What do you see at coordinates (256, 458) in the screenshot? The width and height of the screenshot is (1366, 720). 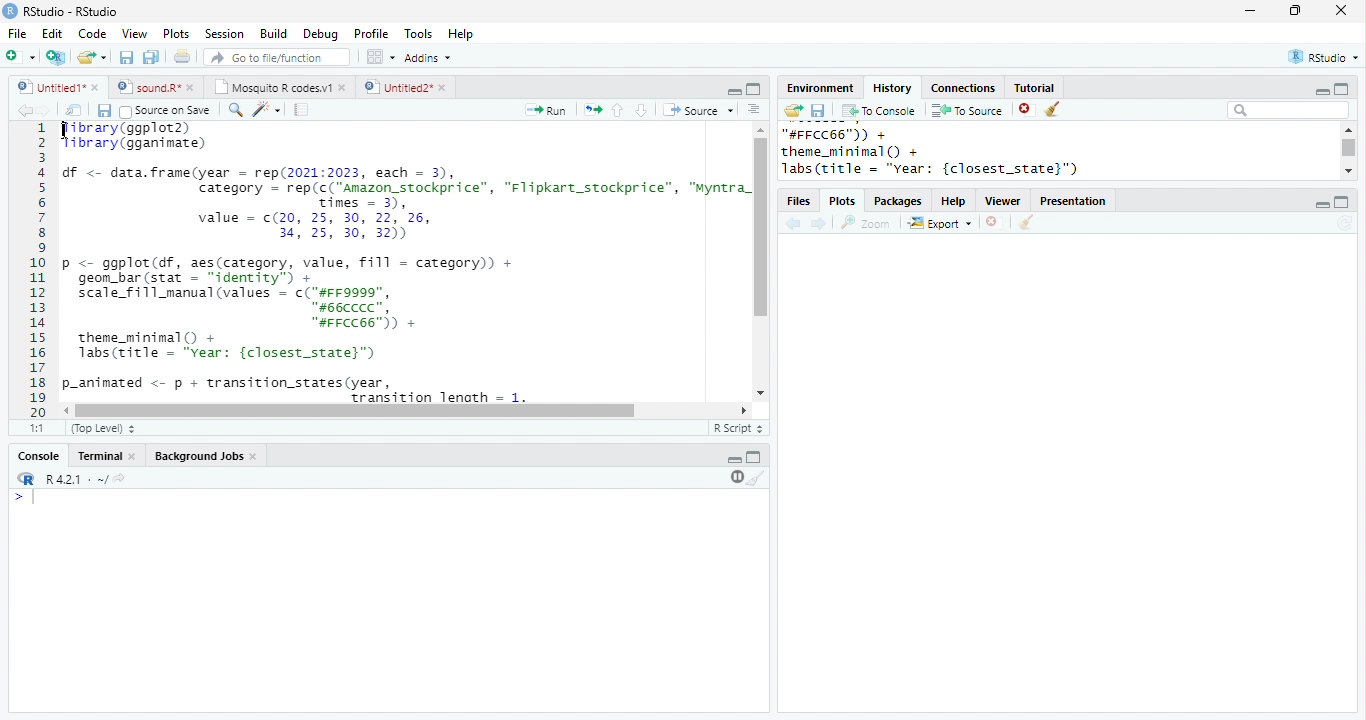 I see `close` at bounding box center [256, 458].